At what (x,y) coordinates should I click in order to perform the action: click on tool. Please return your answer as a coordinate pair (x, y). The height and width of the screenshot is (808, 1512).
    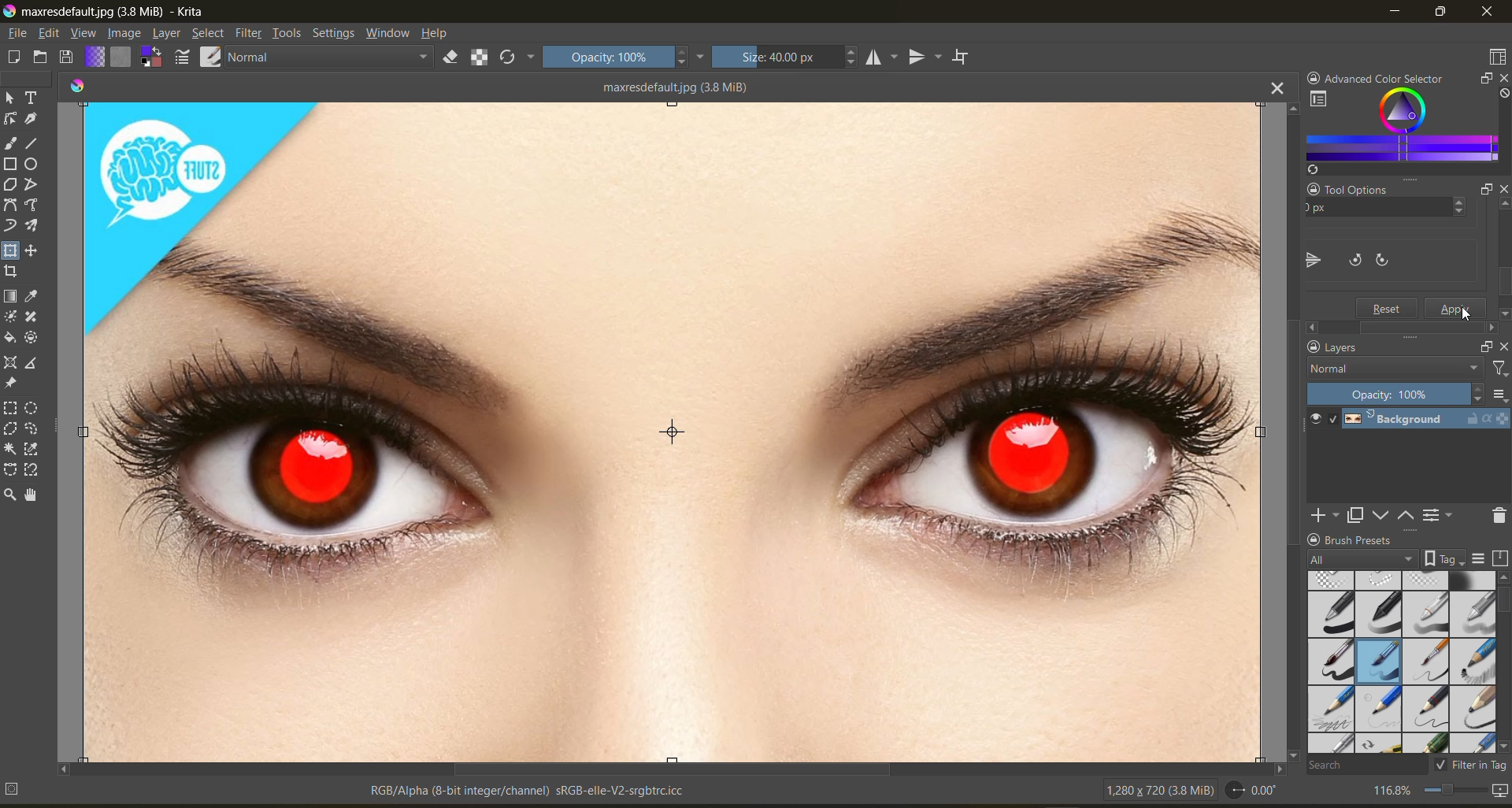
    Looking at the image, I should click on (9, 428).